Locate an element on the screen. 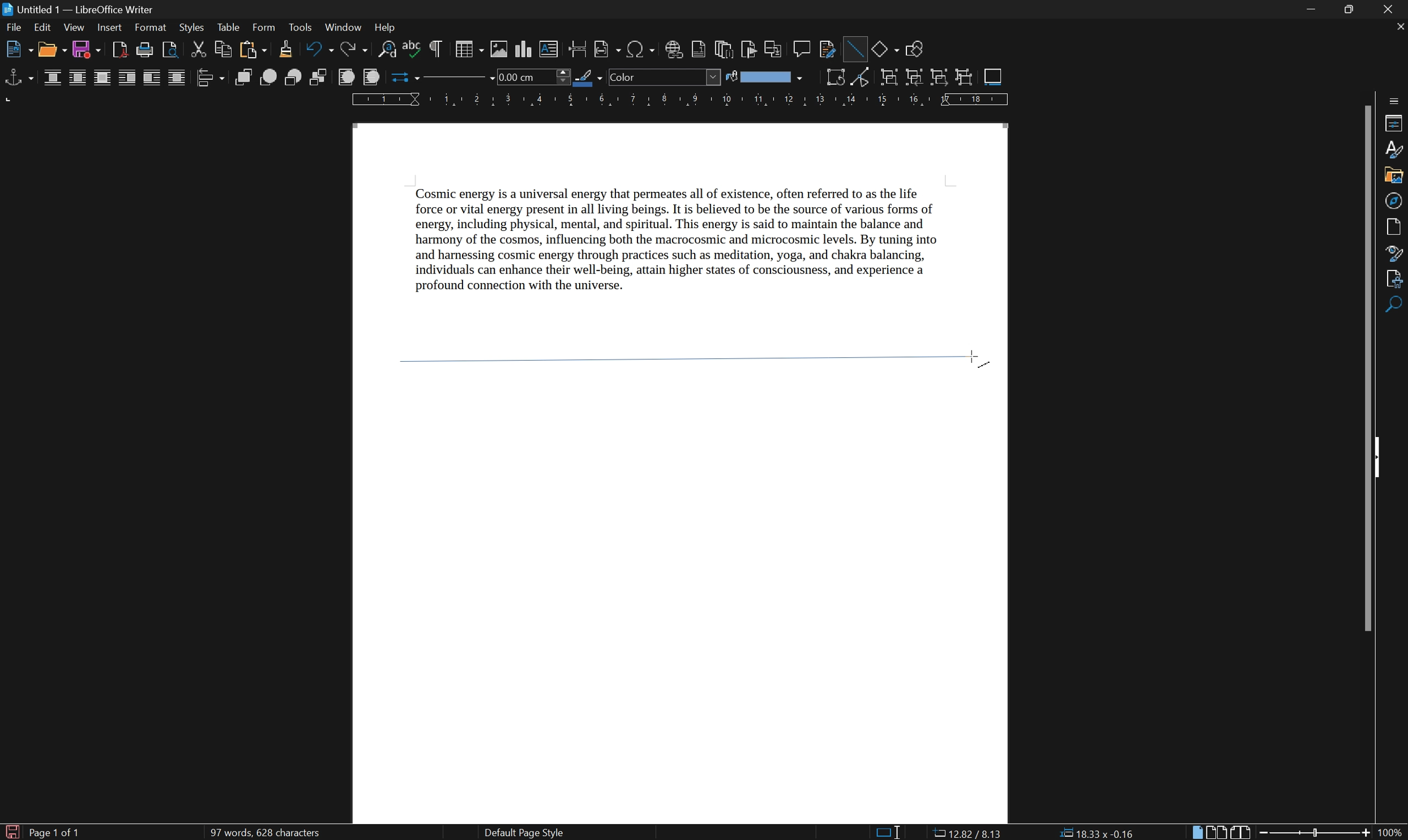 The width and height of the screenshot is (1408, 840). before is located at coordinates (127, 79).